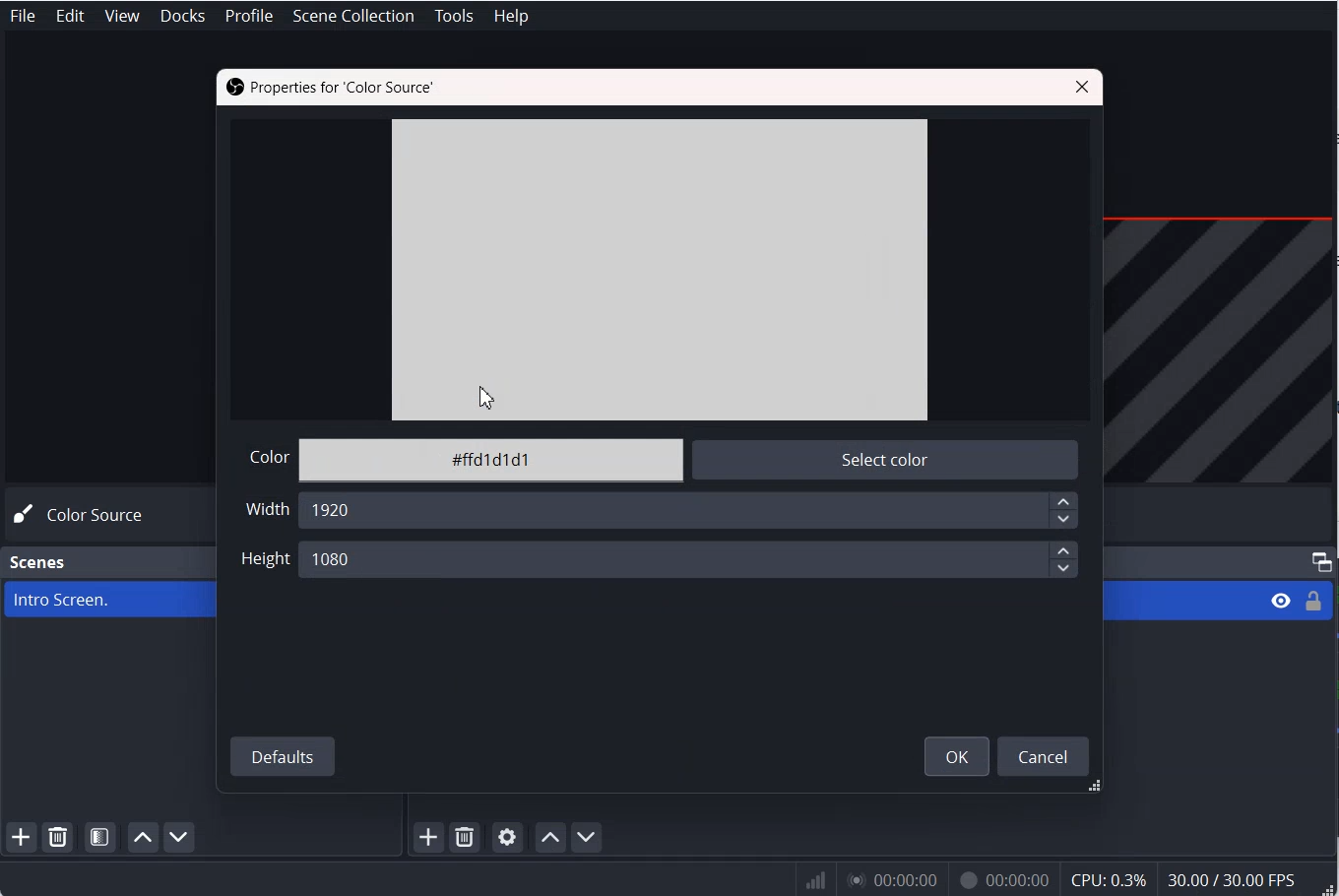 This screenshot has width=1339, height=896. What do you see at coordinates (659, 271) in the screenshot?
I see `Color window Display` at bounding box center [659, 271].